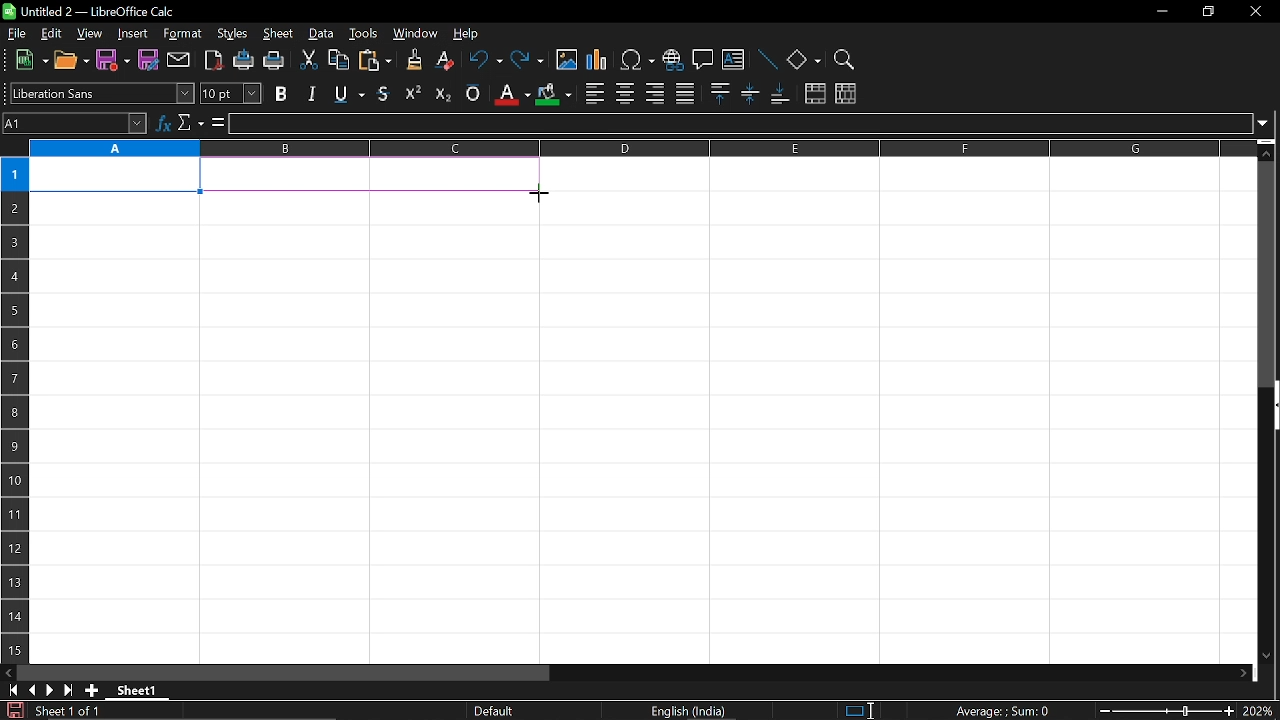 The height and width of the screenshot is (720, 1280). Describe the element at coordinates (1266, 123) in the screenshot. I see `expand formula bar` at that location.